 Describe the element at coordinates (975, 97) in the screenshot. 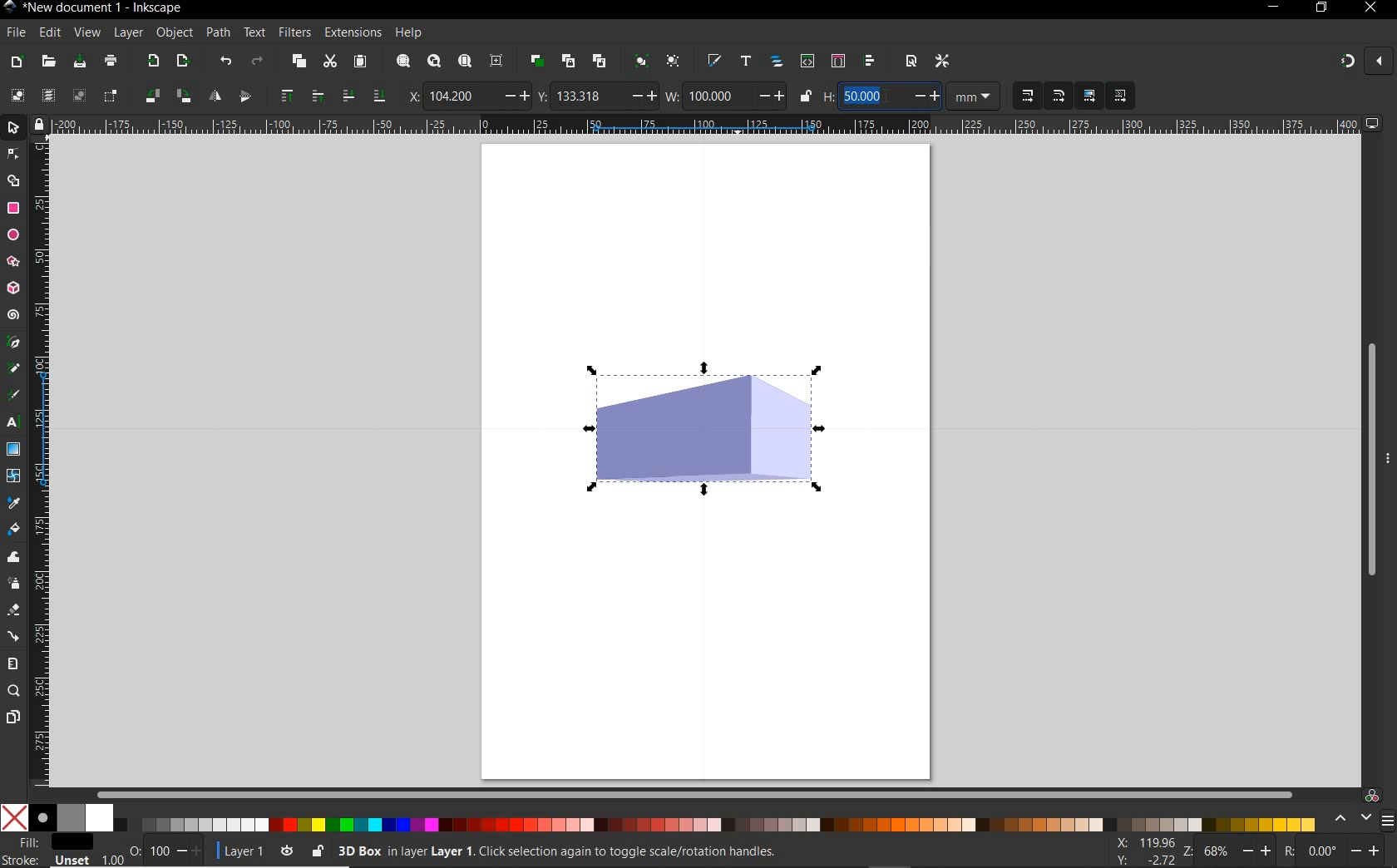

I see `measurement` at that location.